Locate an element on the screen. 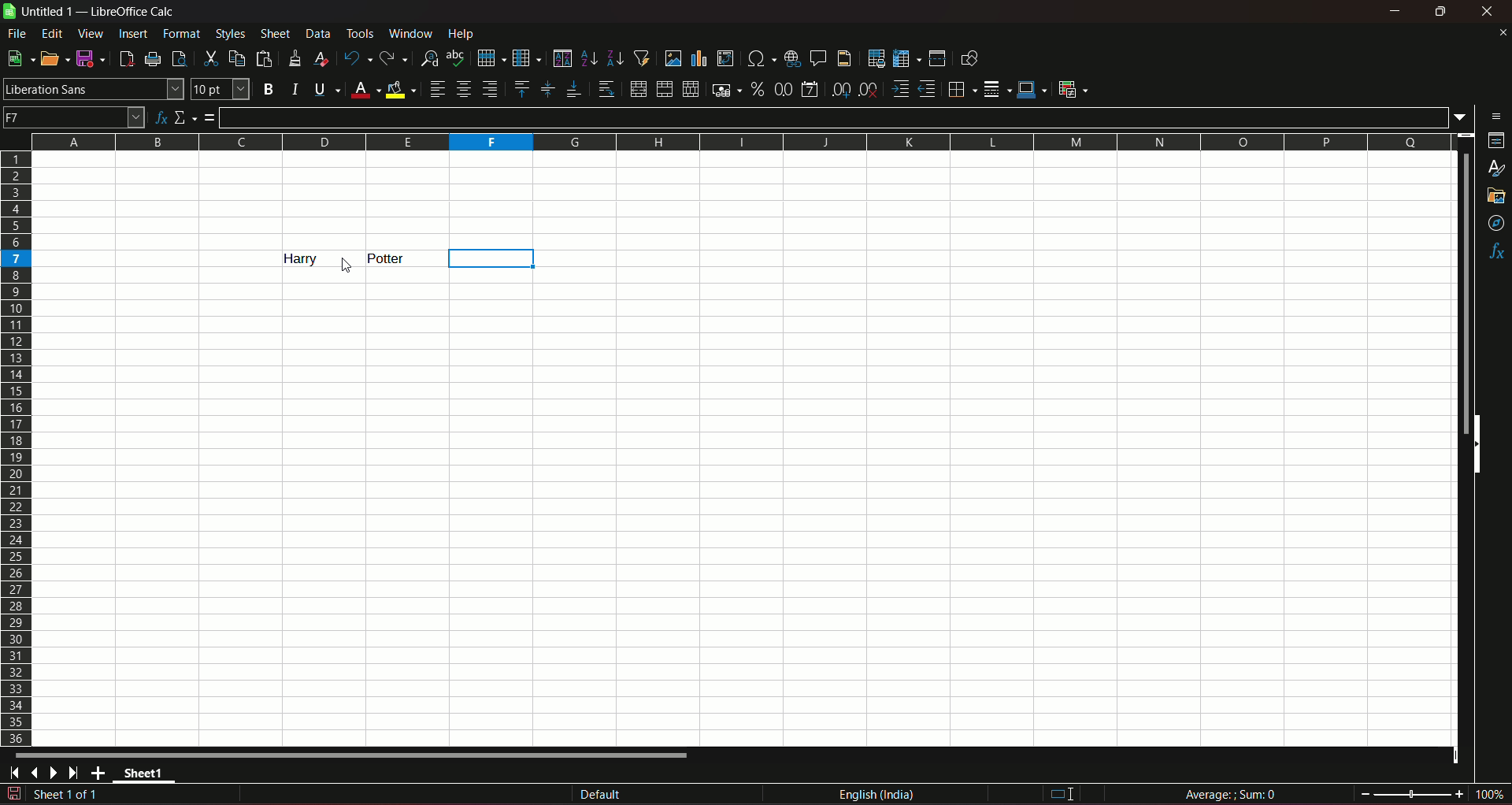 The width and height of the screenshot is (1512, 805). borders is located at coordinates (960, 89).